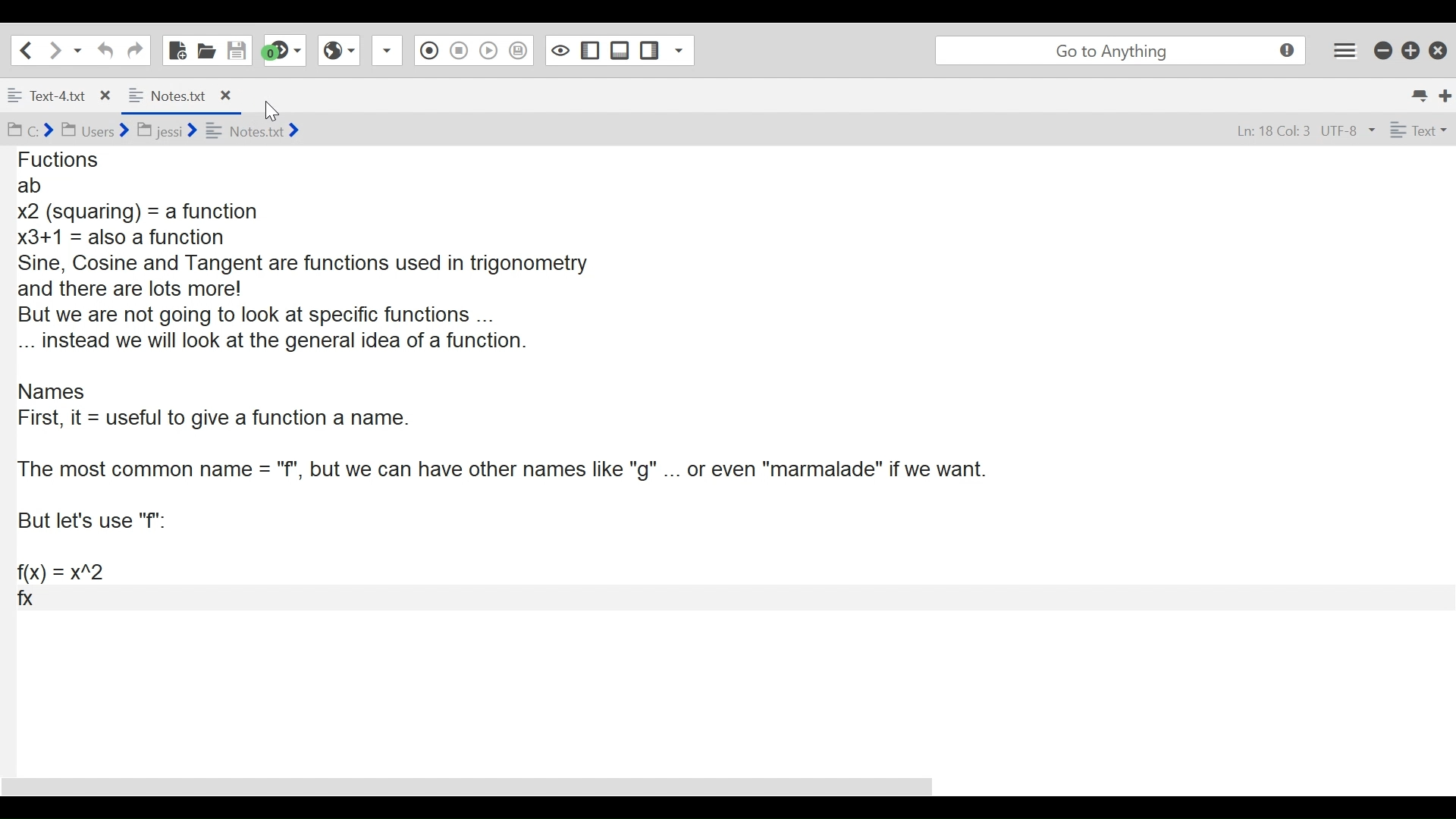 The image size is (1456, 819). I want to click on Open, so click(207, 50).